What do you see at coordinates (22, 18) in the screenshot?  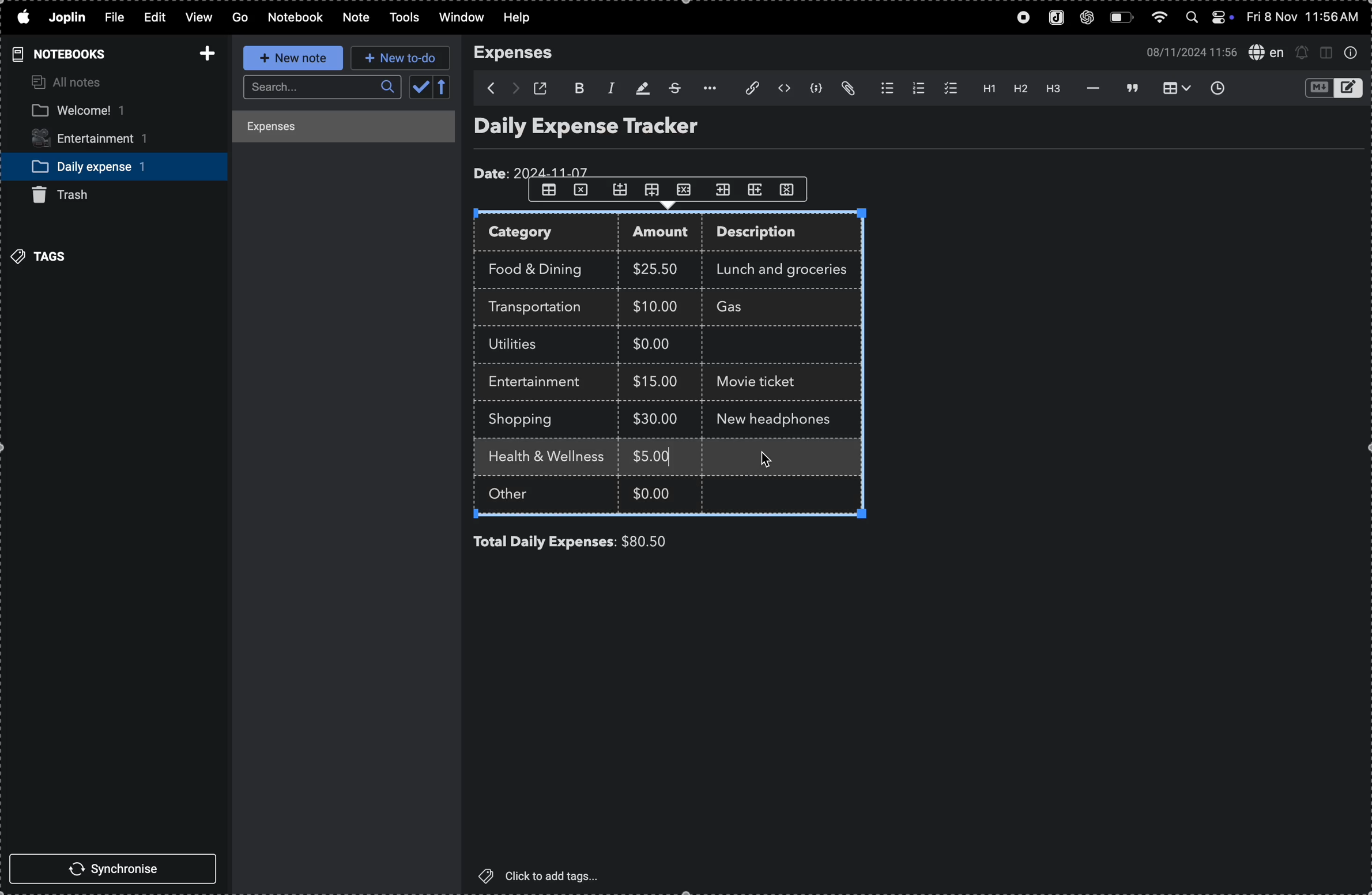 I see `apple menu` at bounding box center [22, 18].